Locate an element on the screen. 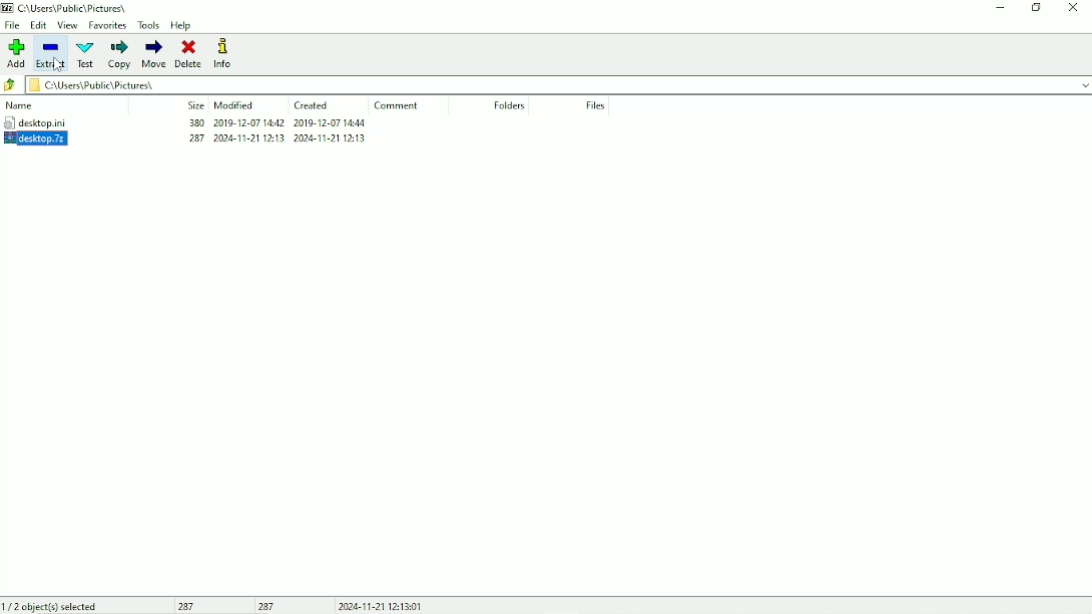 This screenshot has width=1092, height=614. Tools is located at coordinates (149, 26).